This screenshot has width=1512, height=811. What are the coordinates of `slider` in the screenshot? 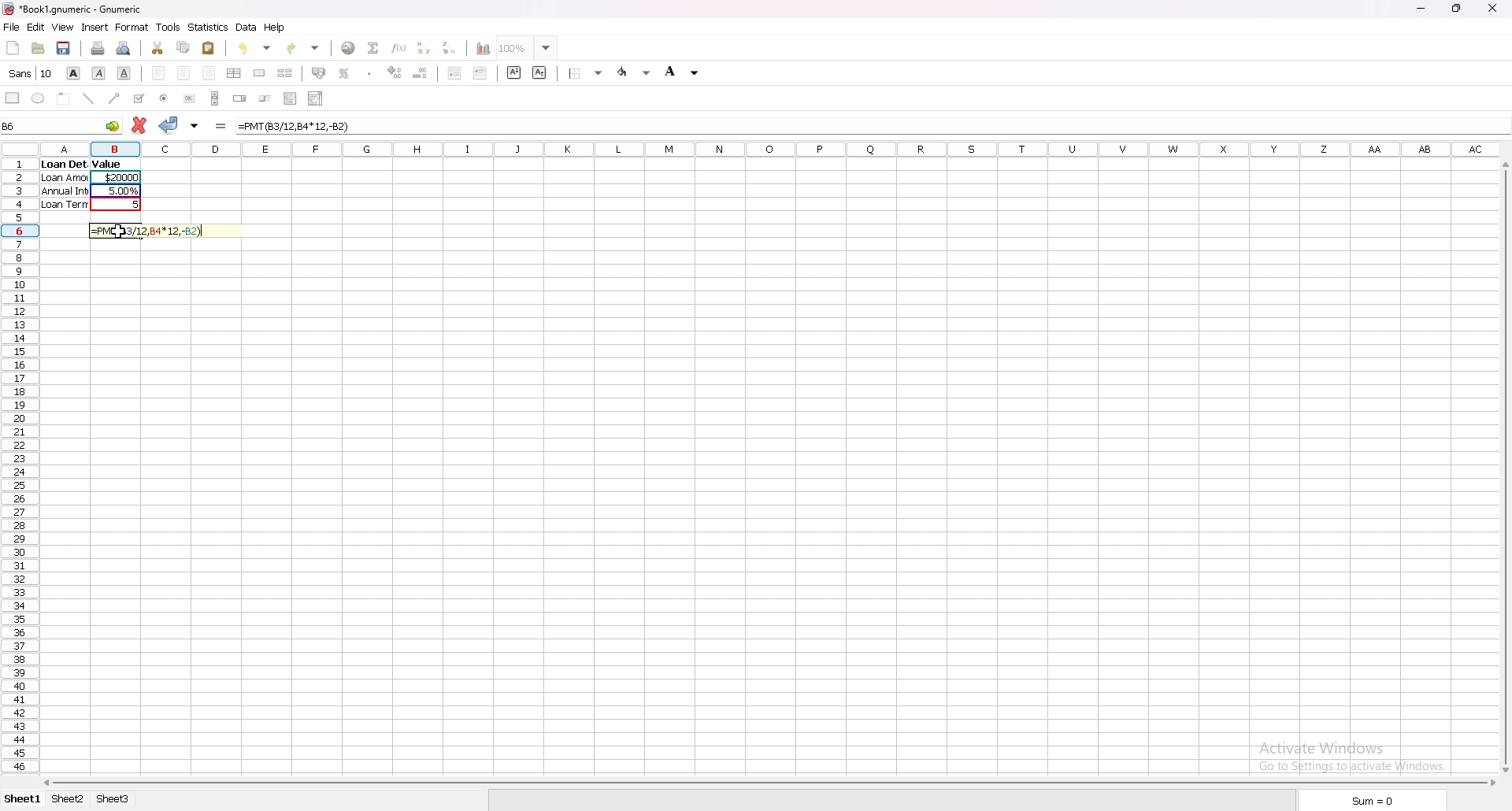 It's located at (266, 99).